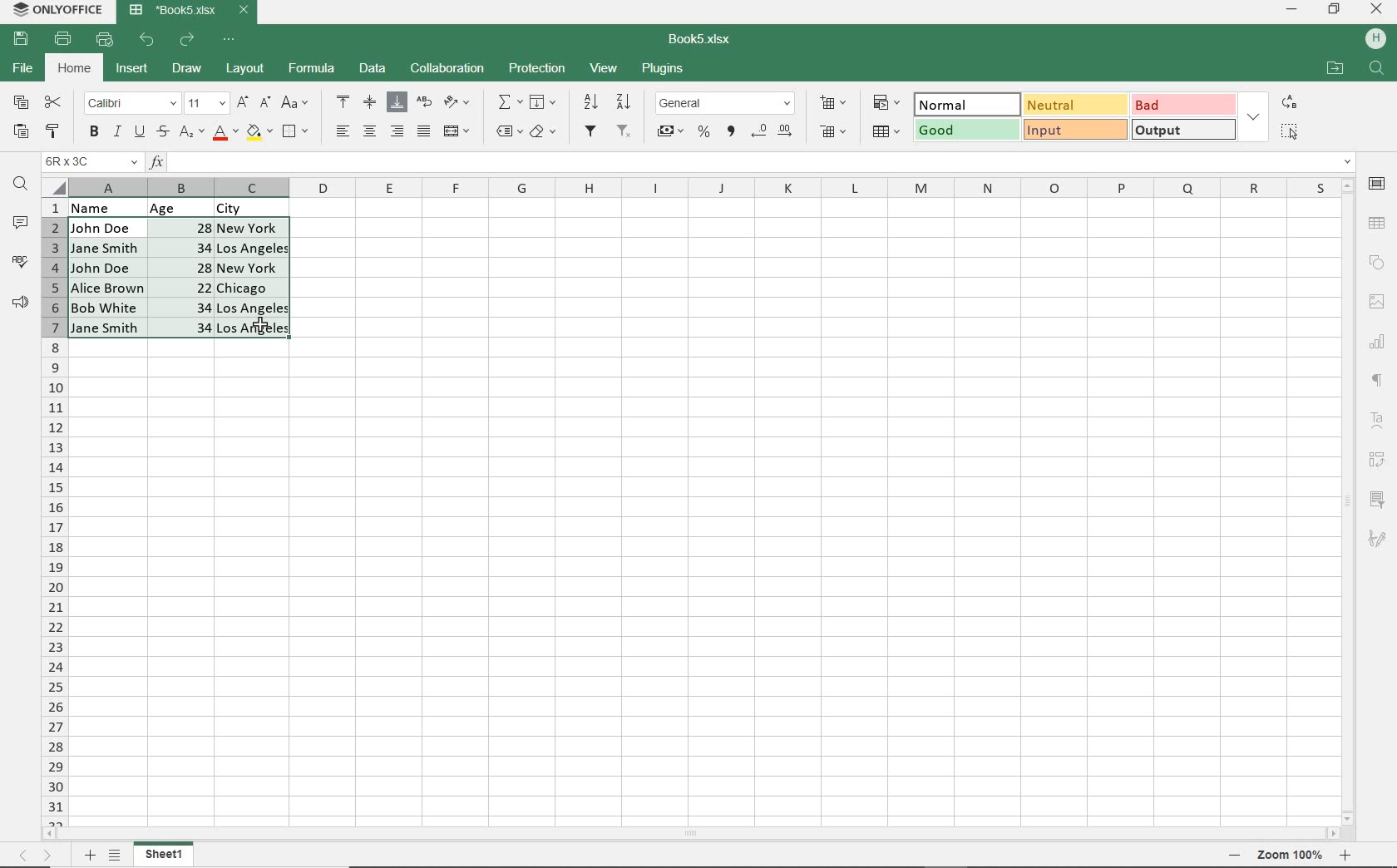 The image size is (1397, 868). I want to click on SLICER, so click(1379, 501).